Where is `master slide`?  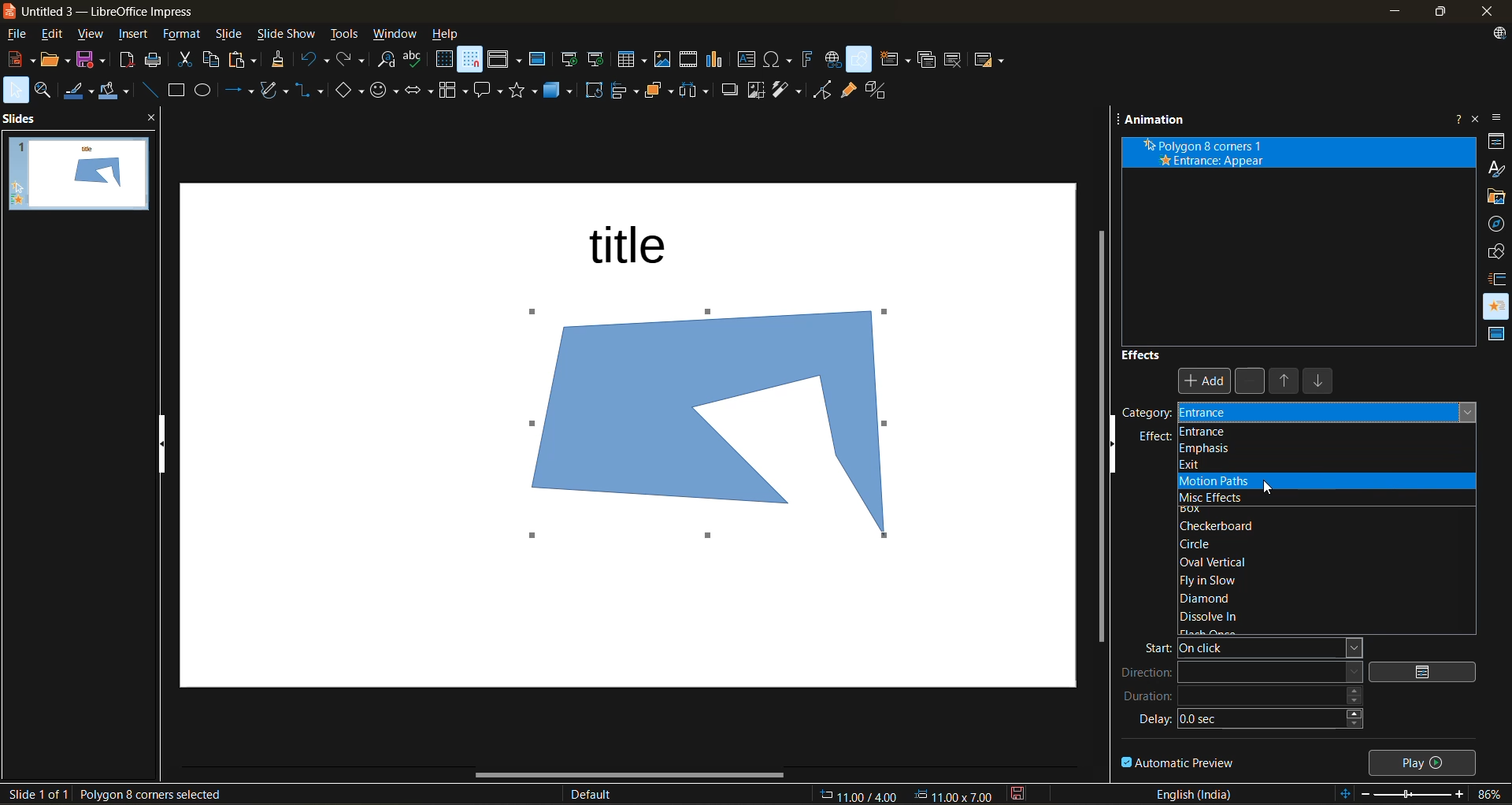
master slide is located at coordinates (537, 58).